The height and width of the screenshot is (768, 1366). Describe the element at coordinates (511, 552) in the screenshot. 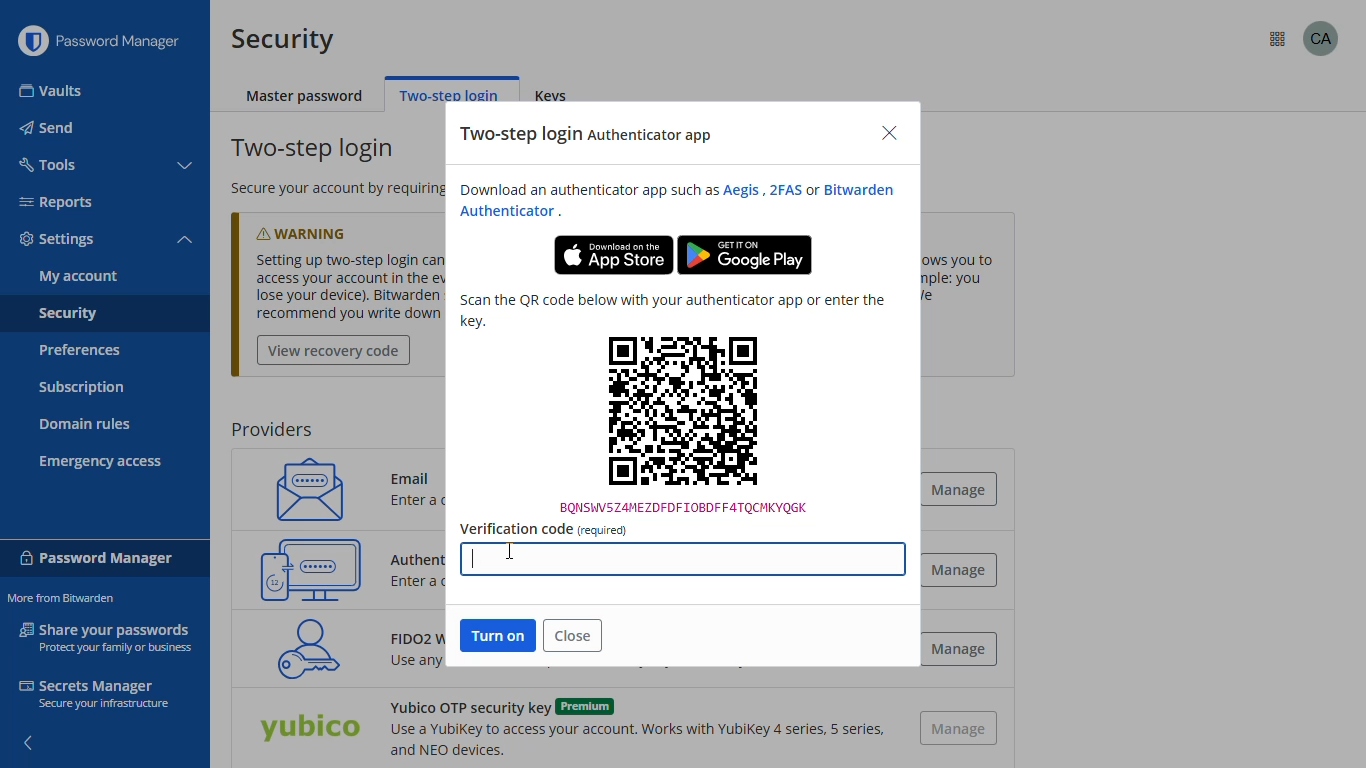

I see `cursor` at that location.